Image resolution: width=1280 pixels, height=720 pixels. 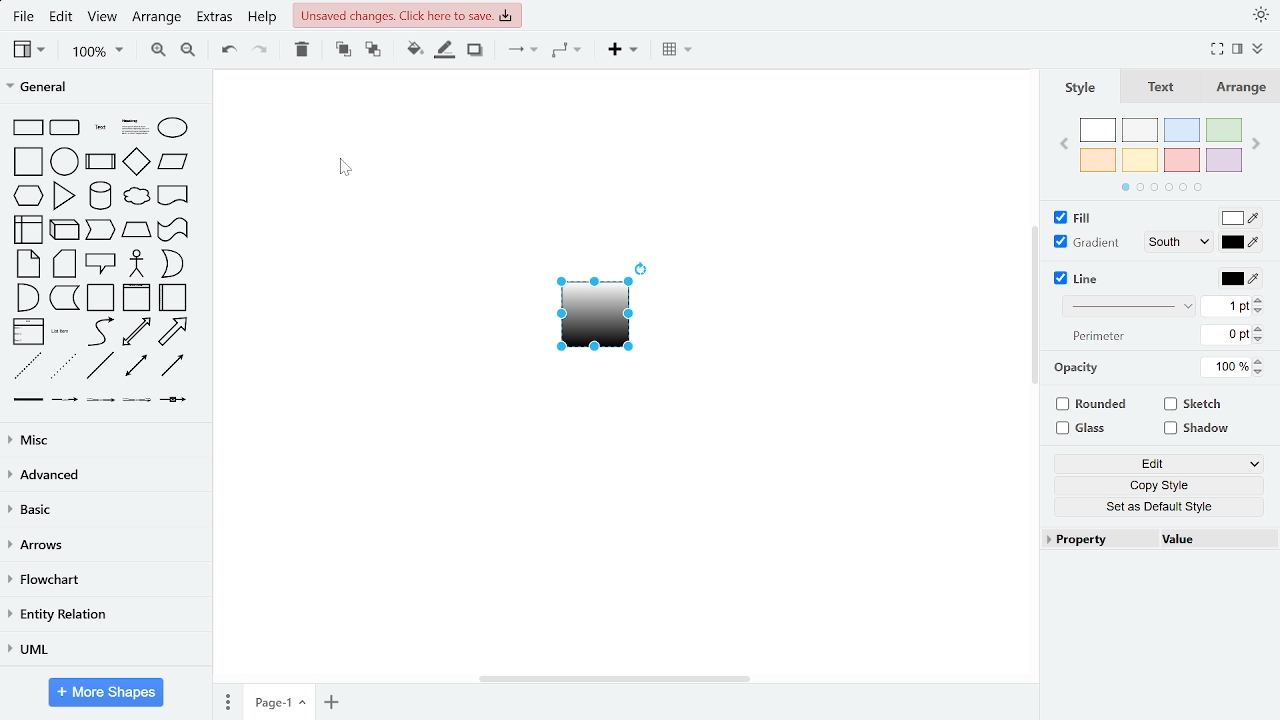 What do you see at coordinates (215, 17) in the screenshot?
I see `extras` at bounding box center [215, 17].